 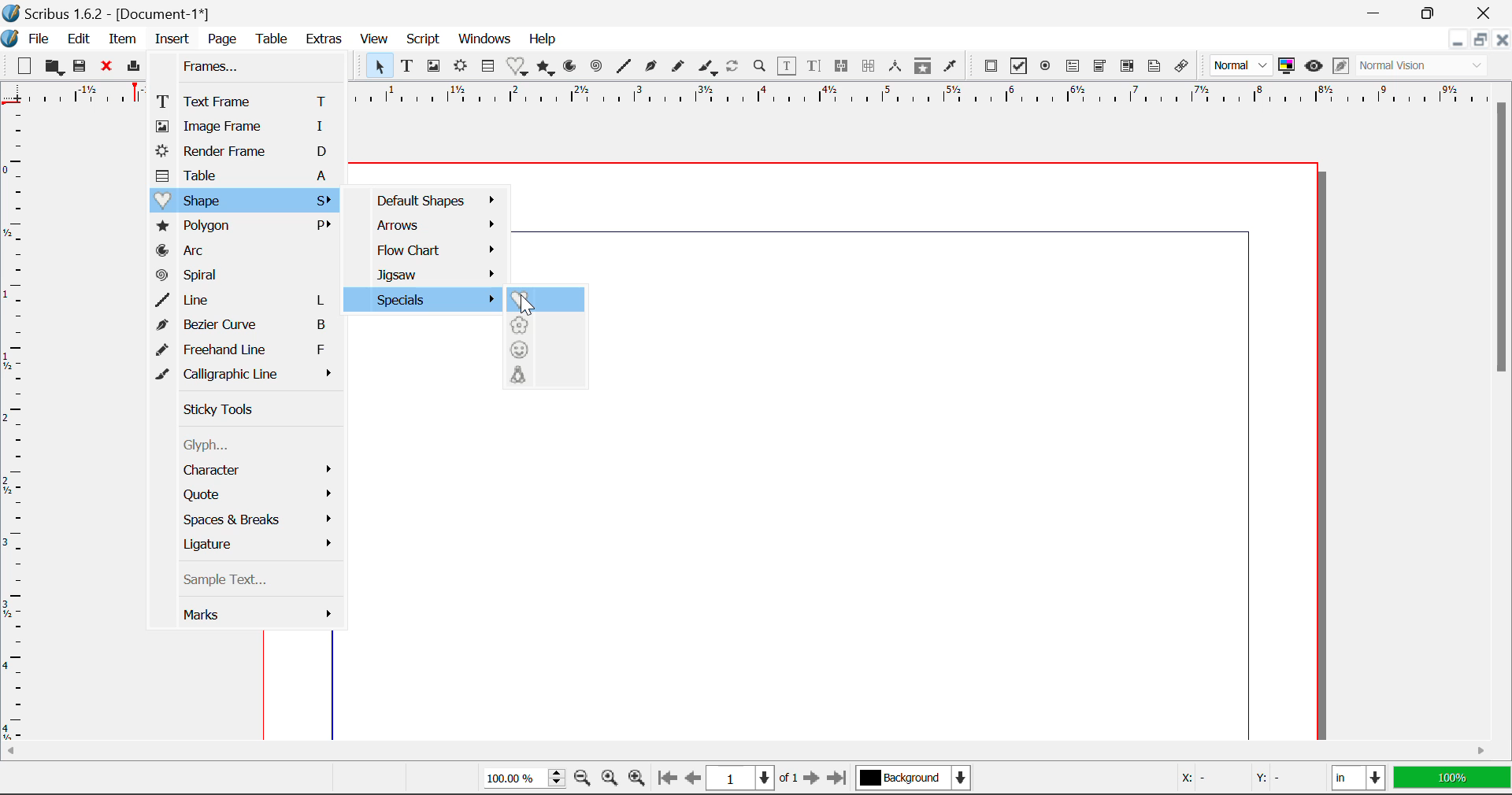 What do you see at coordinates (427, 197) in the screenshot?
I see `Default Shapes` at bounding box center [427, 197].